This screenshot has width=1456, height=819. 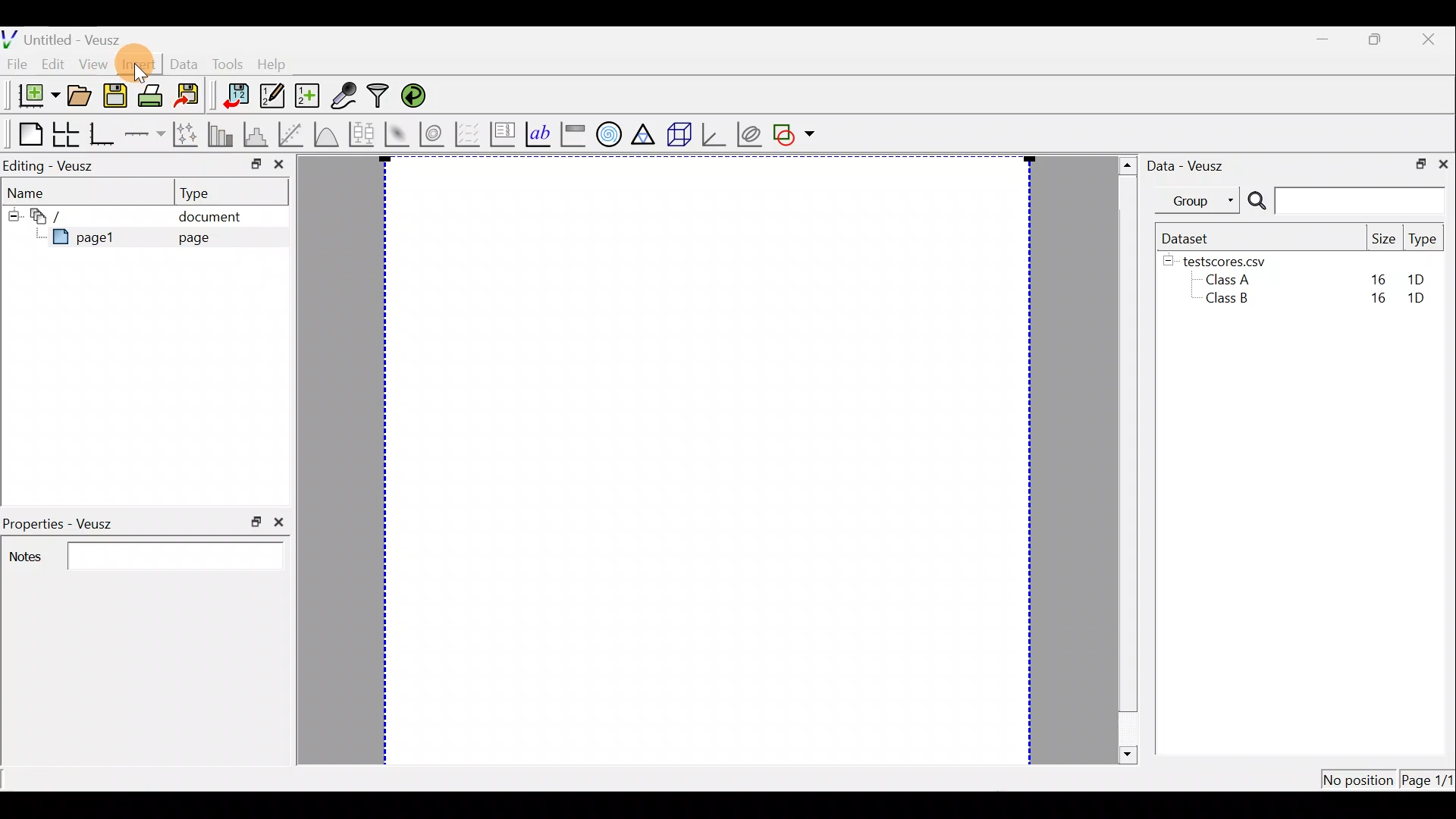 I want to click on 3d graph, so click(x=715, y=135).